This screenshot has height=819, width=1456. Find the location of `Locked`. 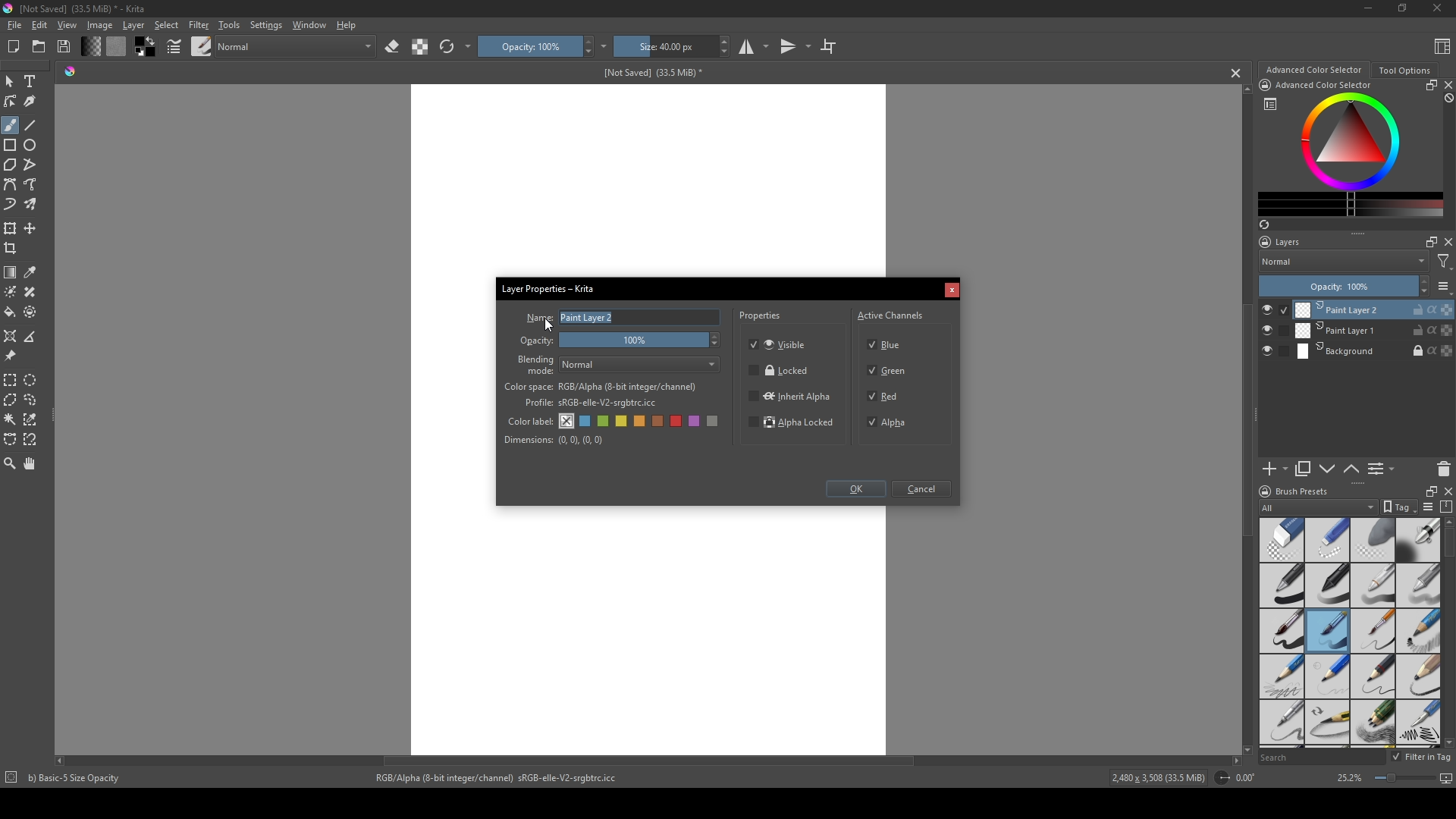

Locked is located at coordinates (780, 371).